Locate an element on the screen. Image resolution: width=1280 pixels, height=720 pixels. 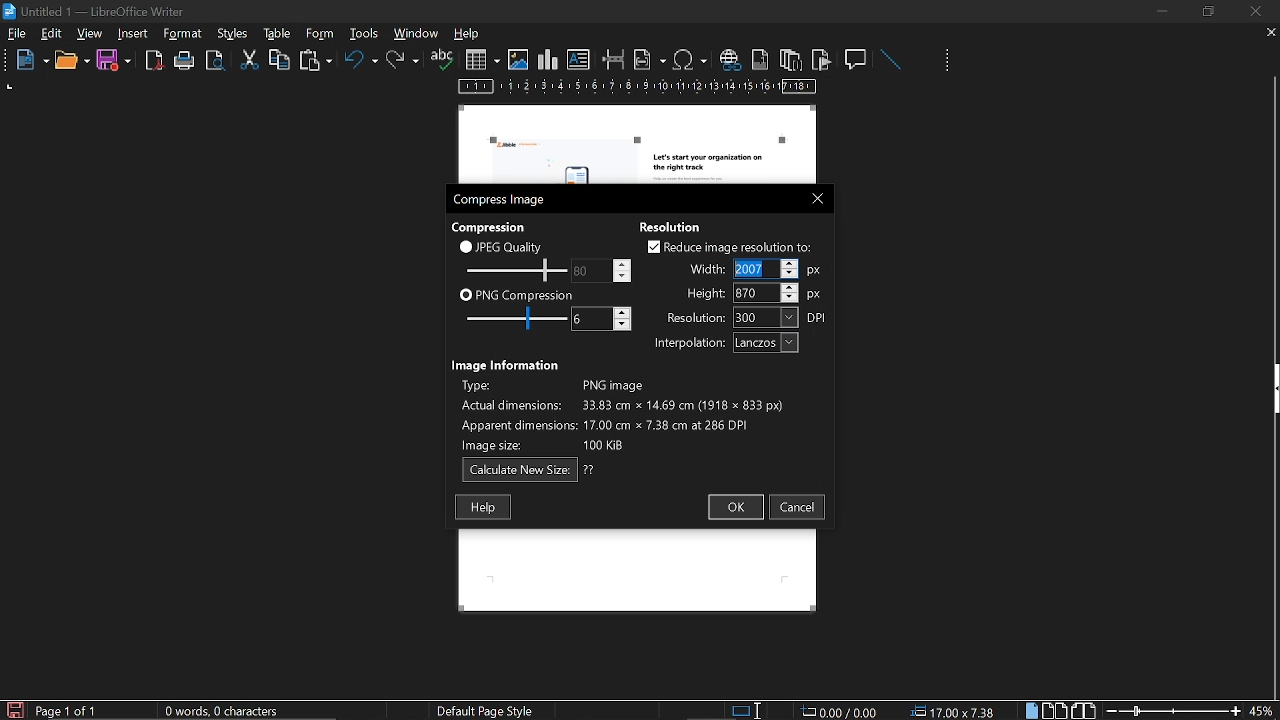
help is located at coordinates (470, 35).